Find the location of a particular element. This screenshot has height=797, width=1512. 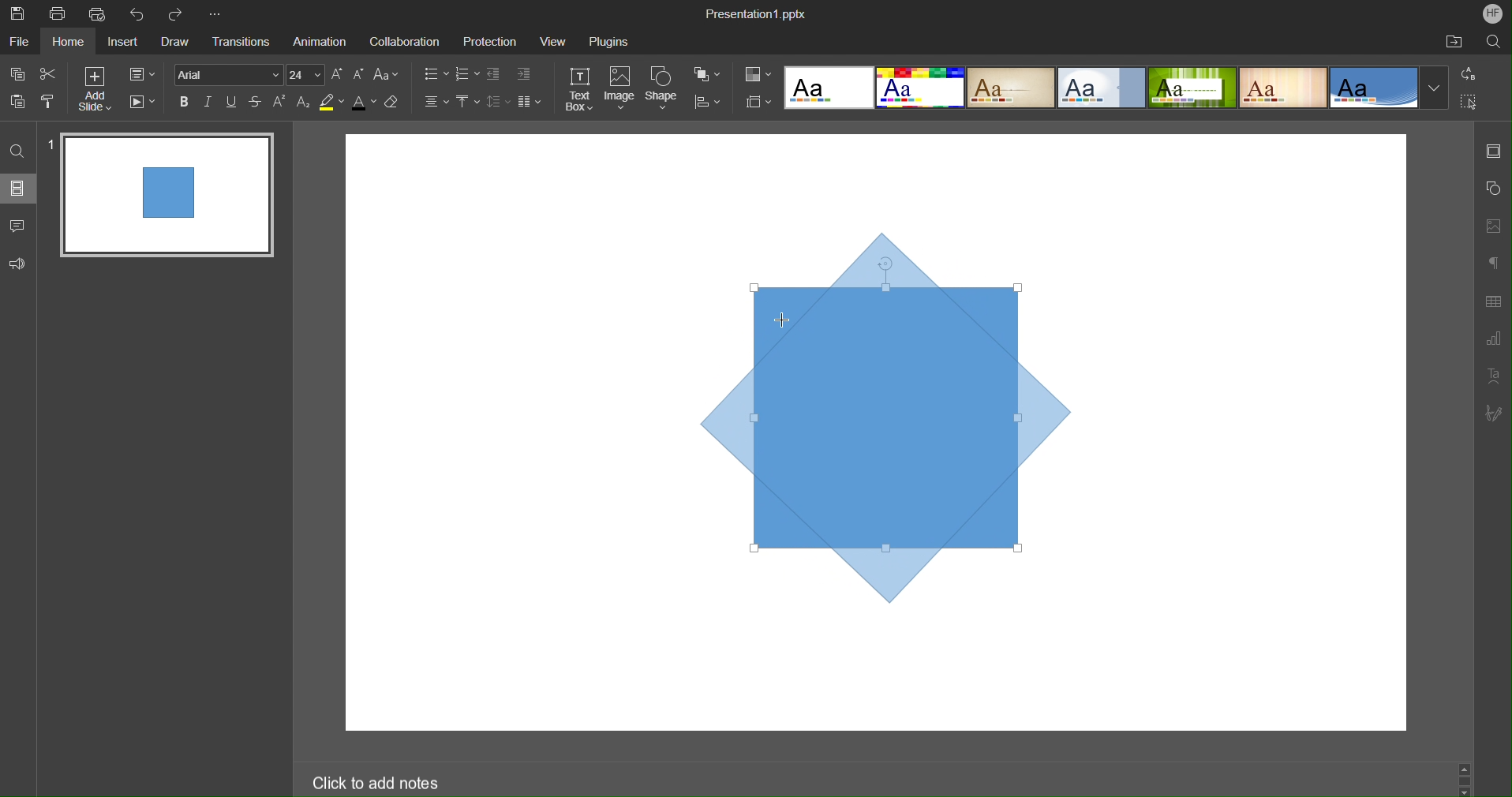

Slide Settings is located at coordinates (142, 73).